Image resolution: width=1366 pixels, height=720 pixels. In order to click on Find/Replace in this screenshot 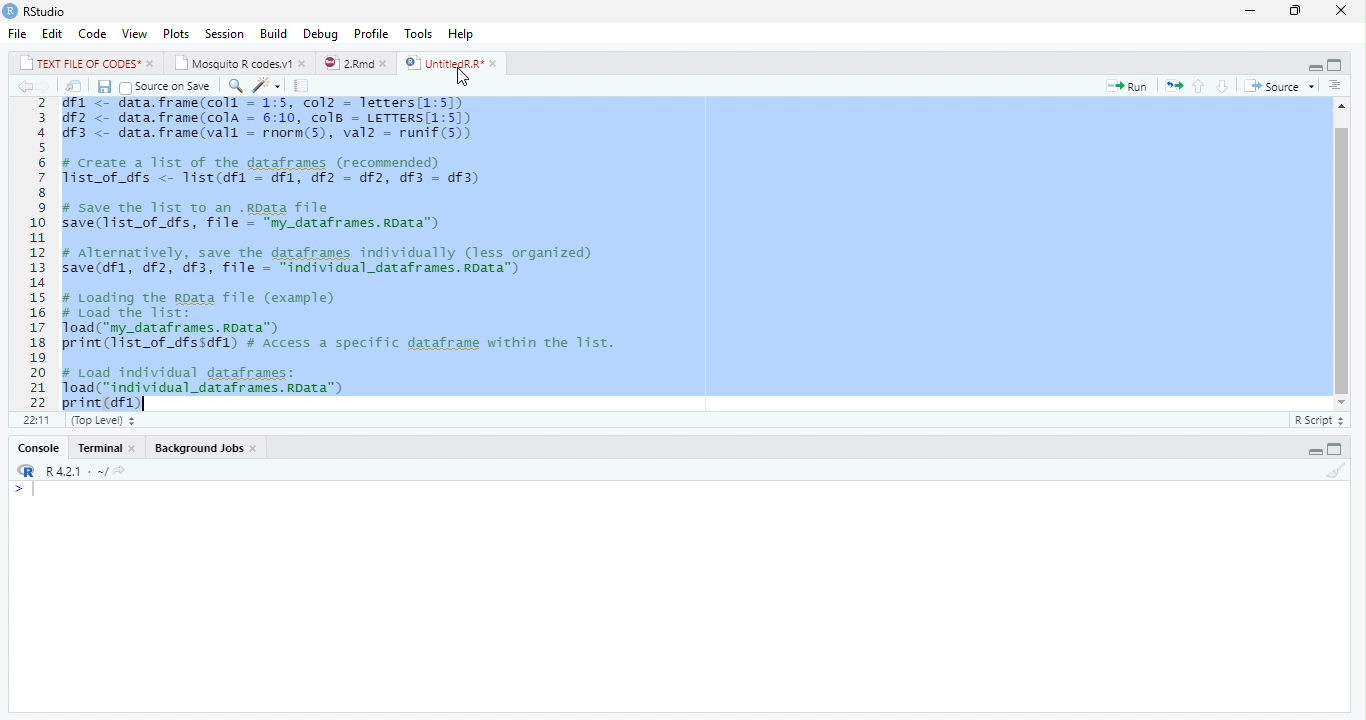, I will do `click(234, 86)`.